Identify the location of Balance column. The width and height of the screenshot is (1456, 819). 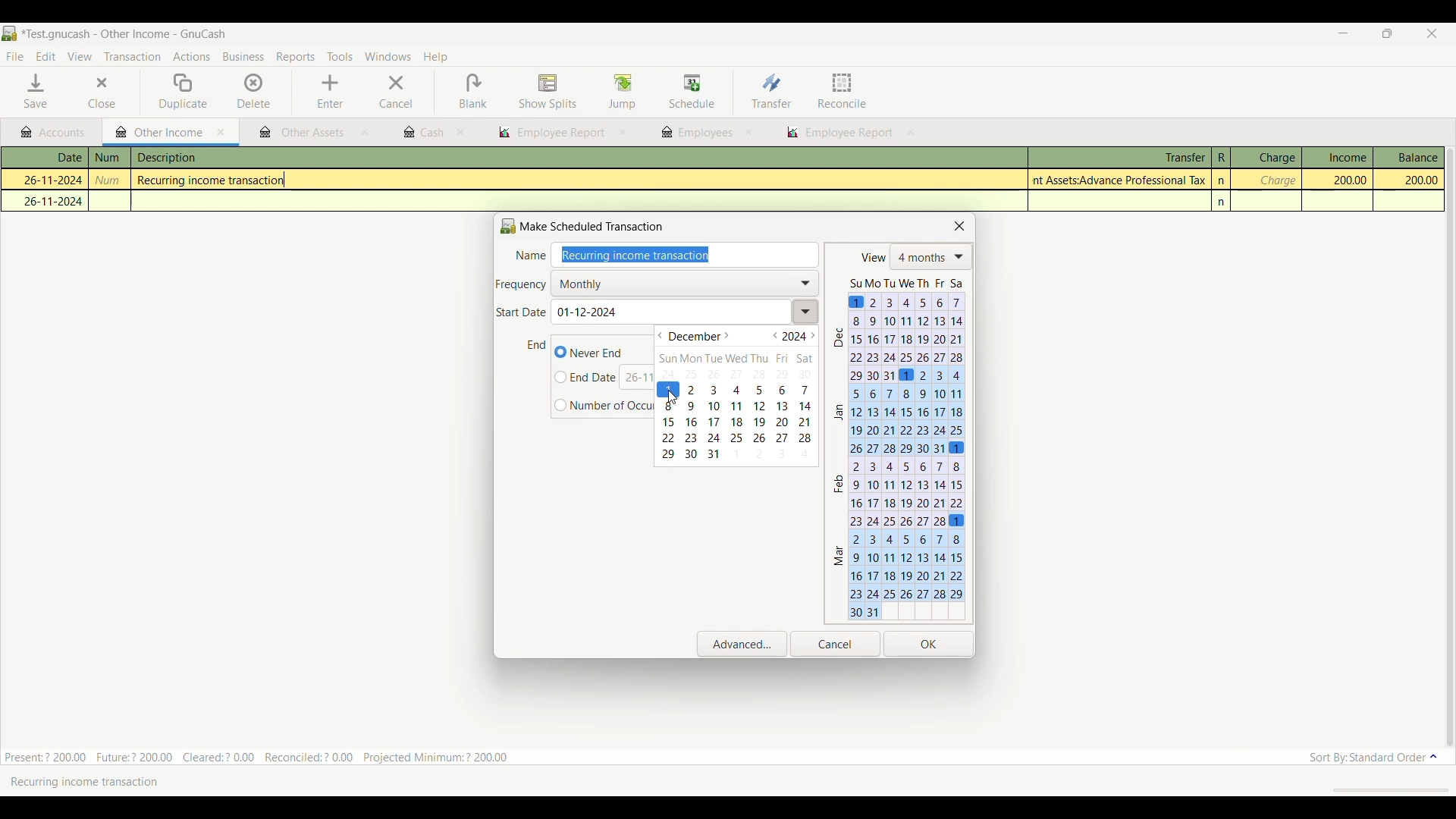
(1409, 157).